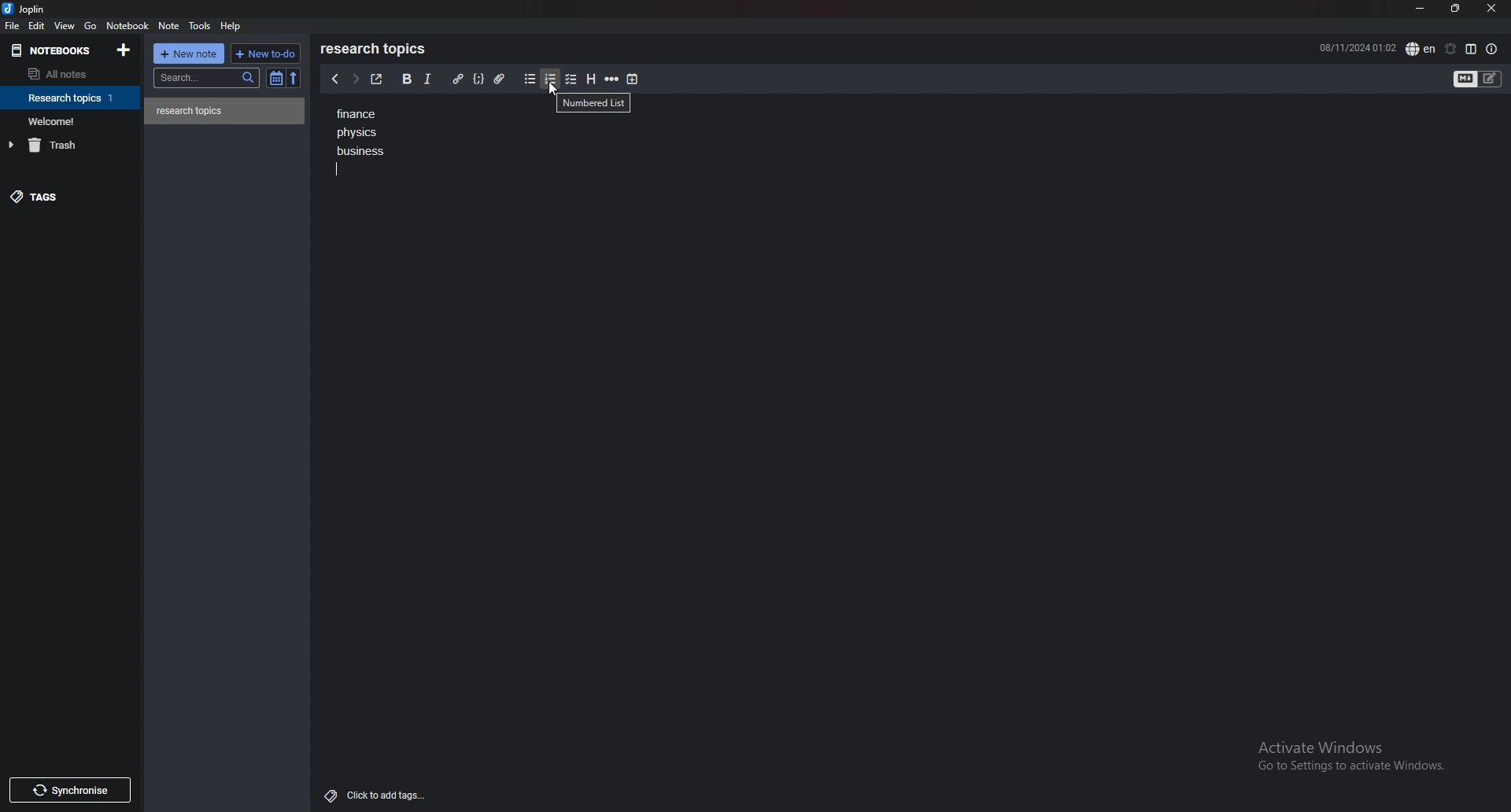 The image size is (1511, 812). Describe the element at coordinates (359, 142) in the screenshot. I see `Finance physics business` at that location.